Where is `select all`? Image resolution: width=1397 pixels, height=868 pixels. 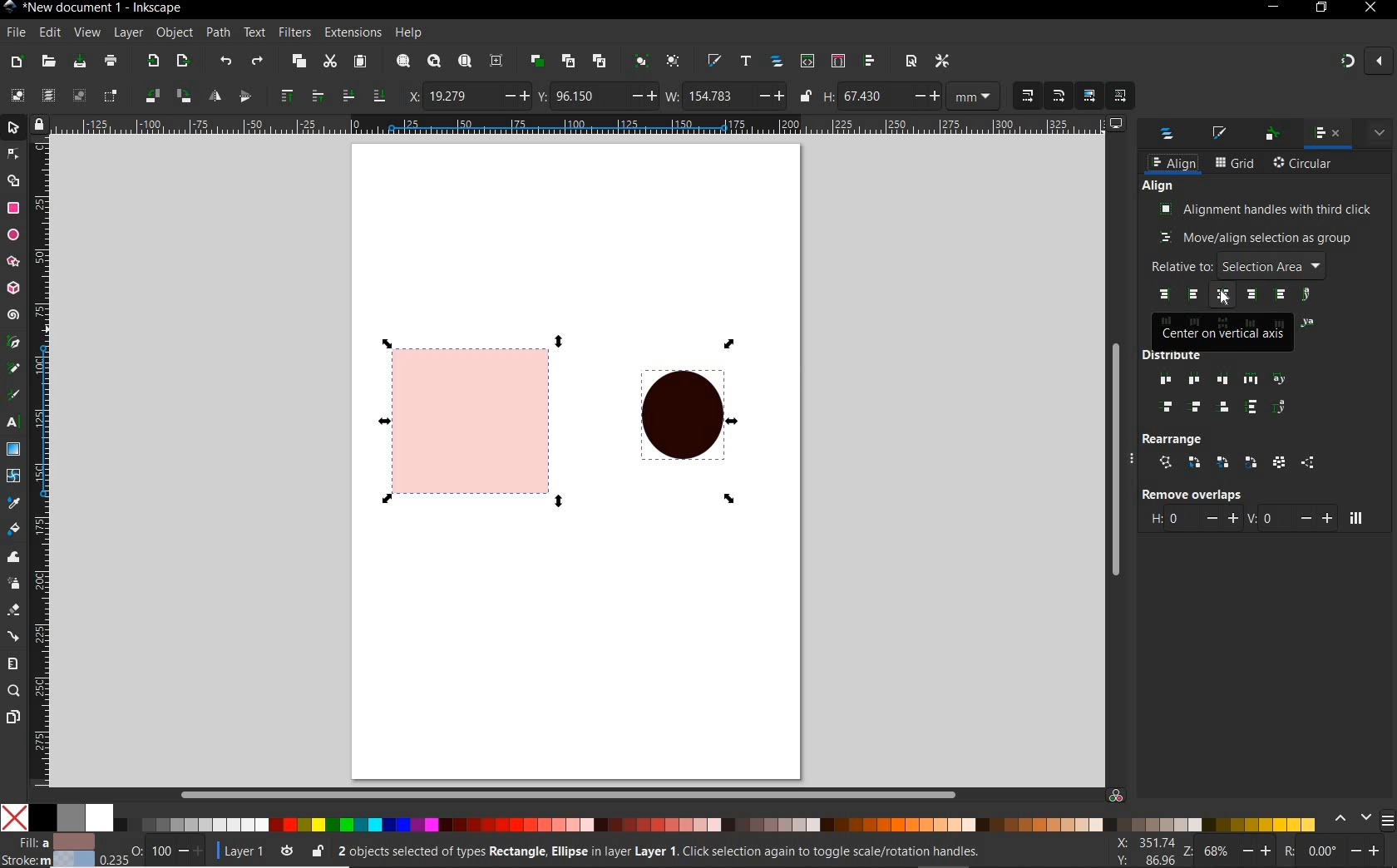
select all is located at coordinates (17, 95).